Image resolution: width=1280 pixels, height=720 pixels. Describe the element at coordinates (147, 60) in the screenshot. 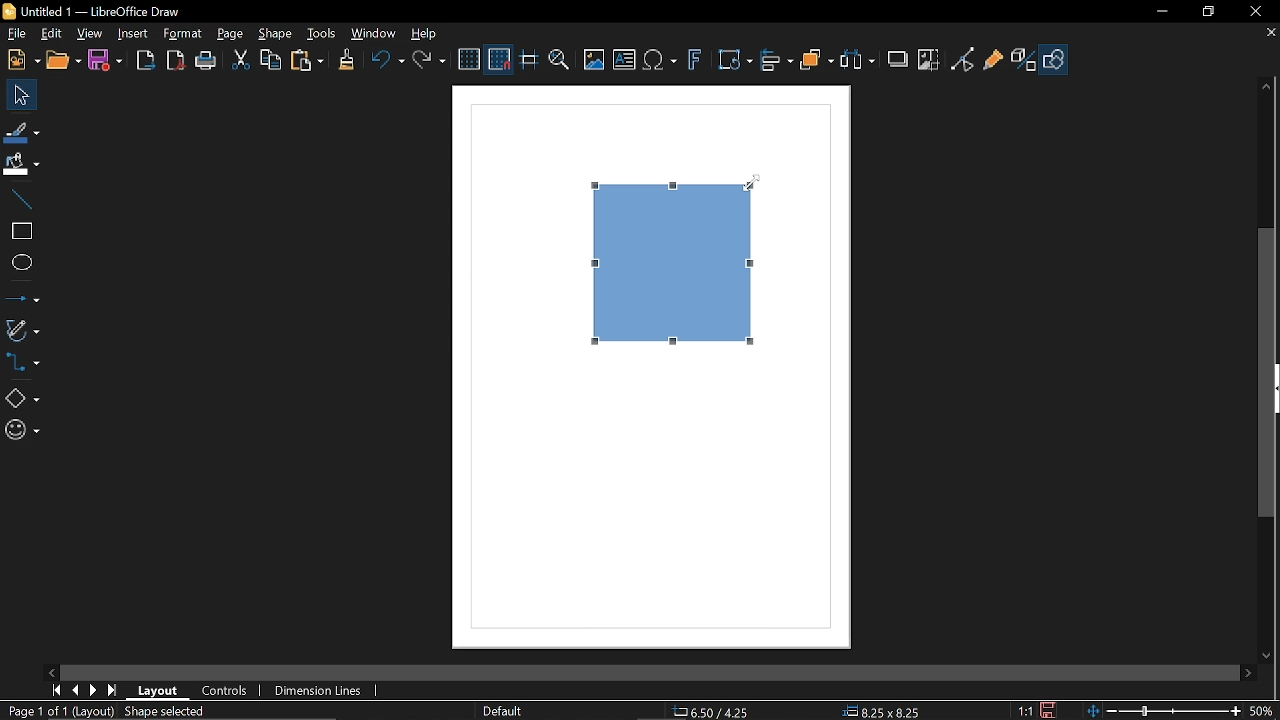

I see `export` at that location.